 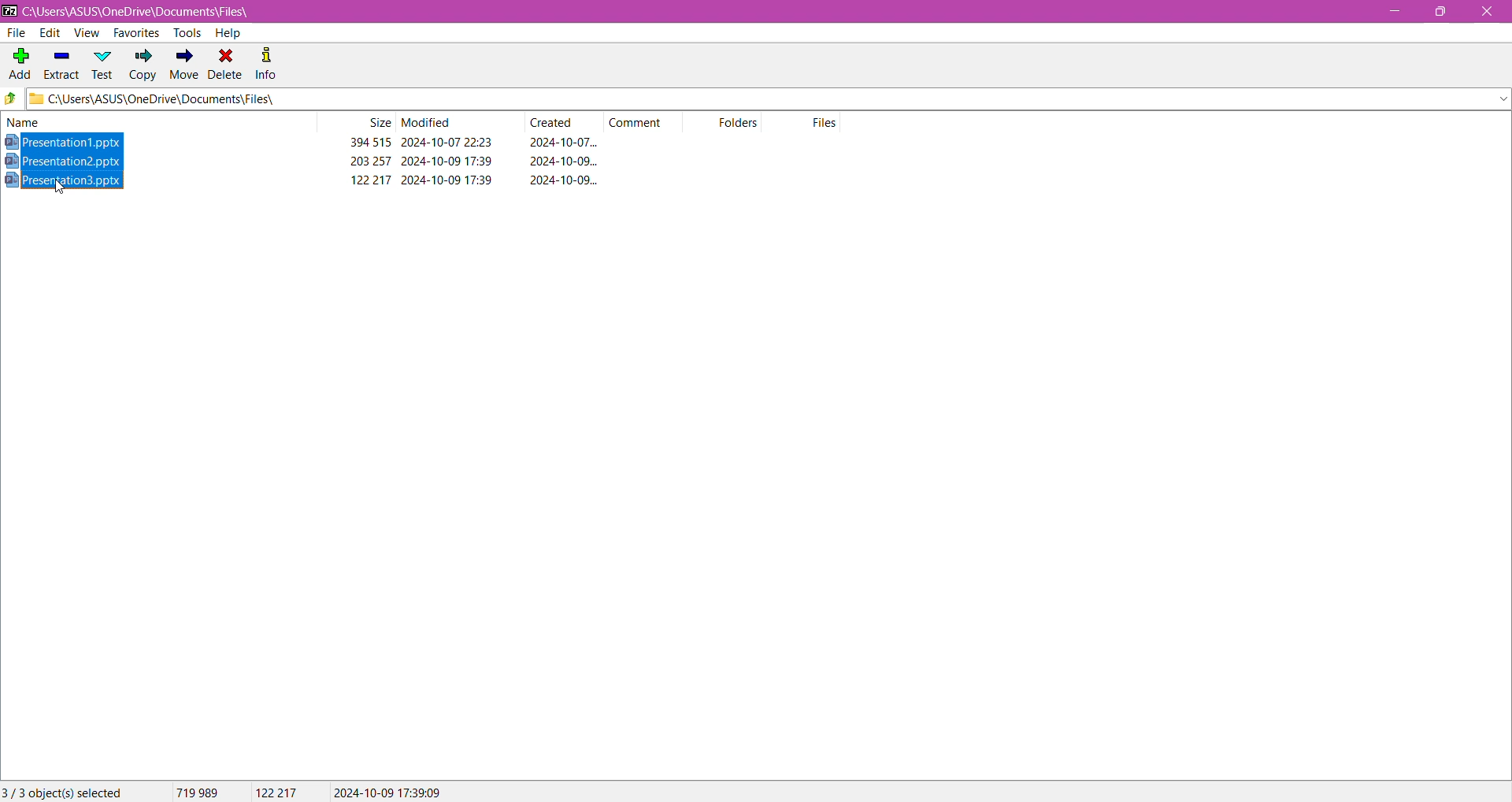 What do you see at coordinates (1393, 12) in the screenshot?
I see `Minimize` at bounding box center [1393, 12].